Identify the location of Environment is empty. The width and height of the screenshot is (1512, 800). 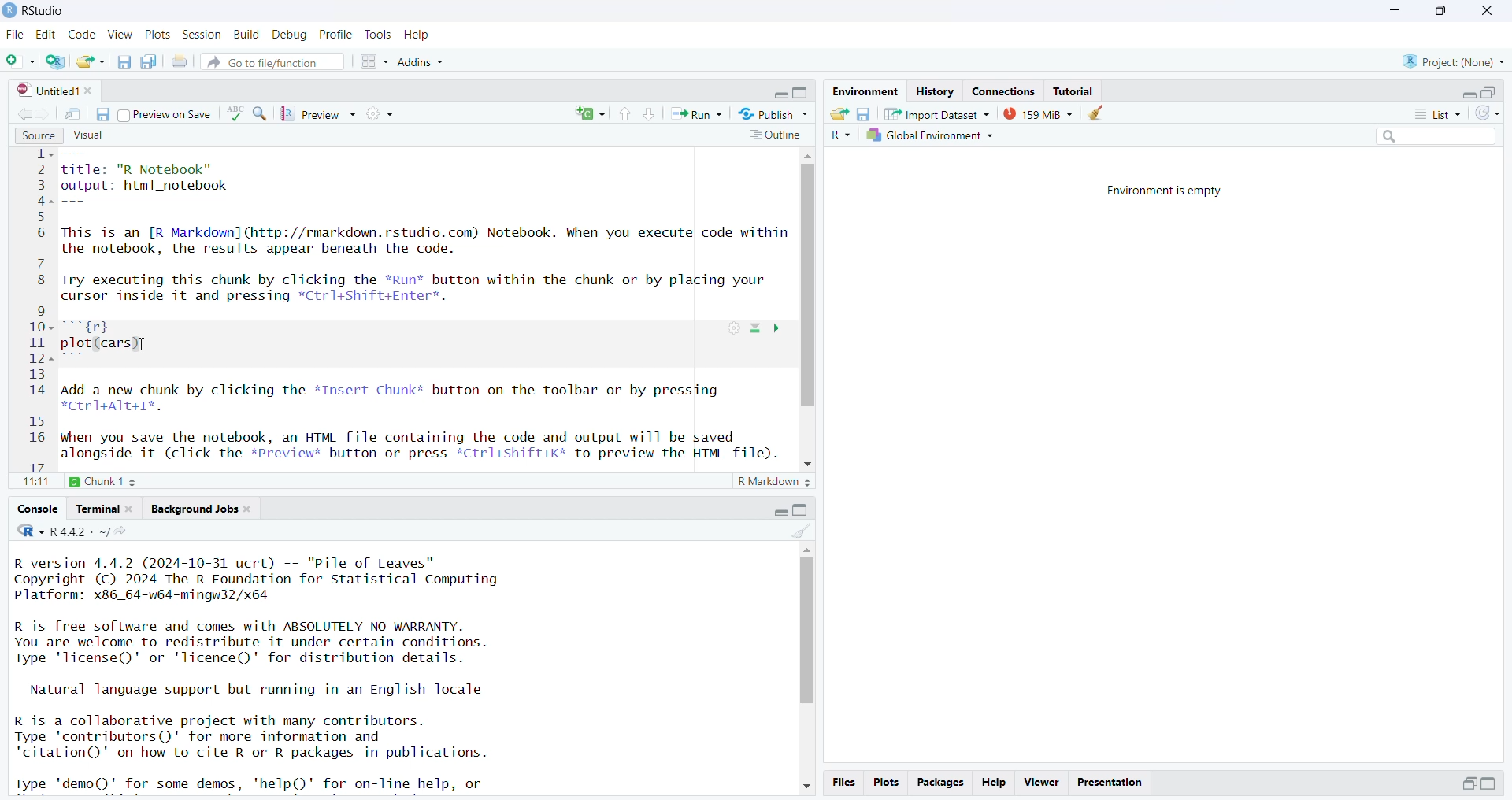
(1169, 191).